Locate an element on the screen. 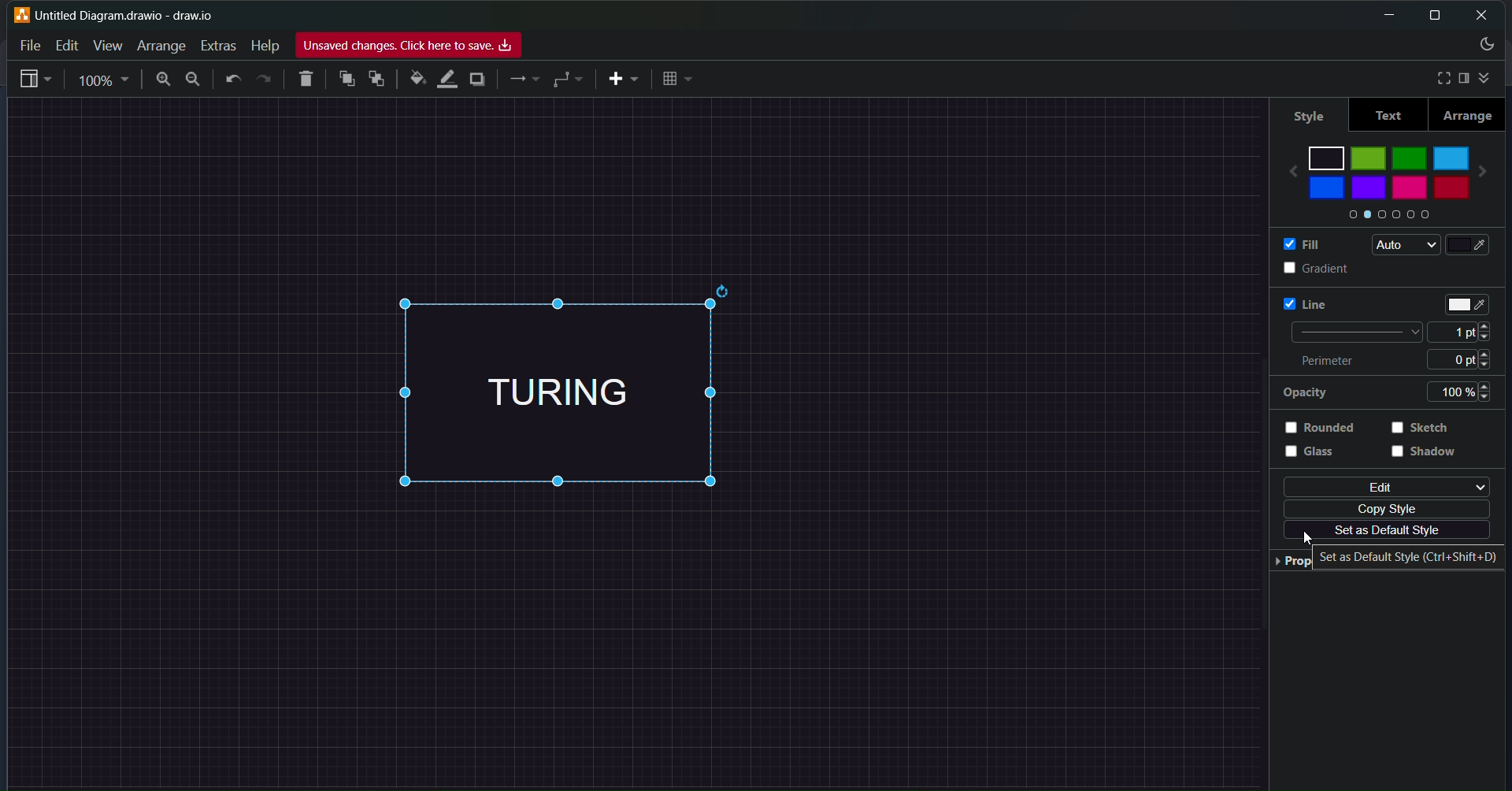 Image resolution: width=1512 pixels, height=791 pixels. current line is located at coordinates (1352, 332).